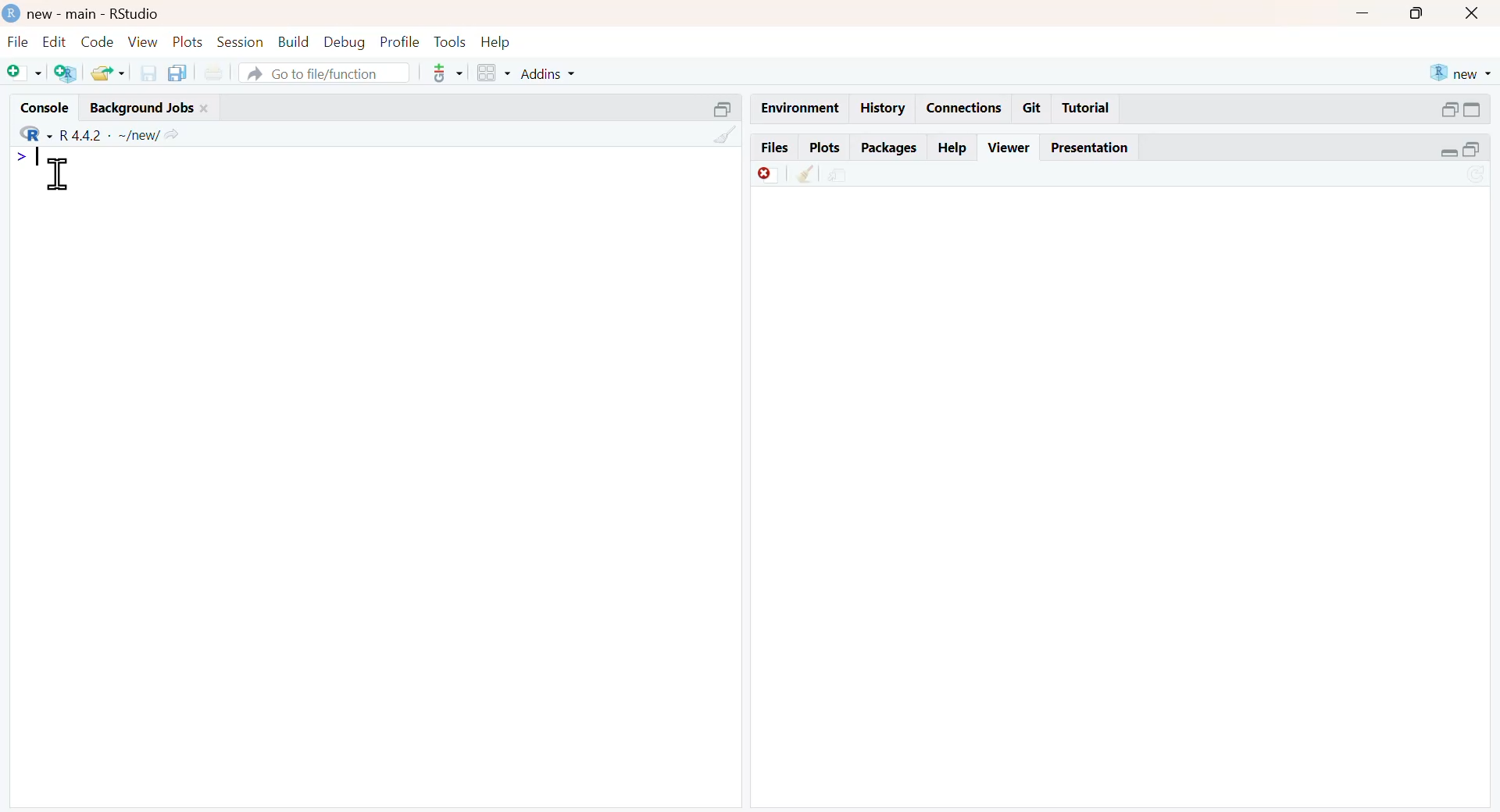 This screenshot has width=1500, height=812. What do you see at coordinates (172, 133) in the screenshot?
I see `Share icon` at bounding box center [172, 133].